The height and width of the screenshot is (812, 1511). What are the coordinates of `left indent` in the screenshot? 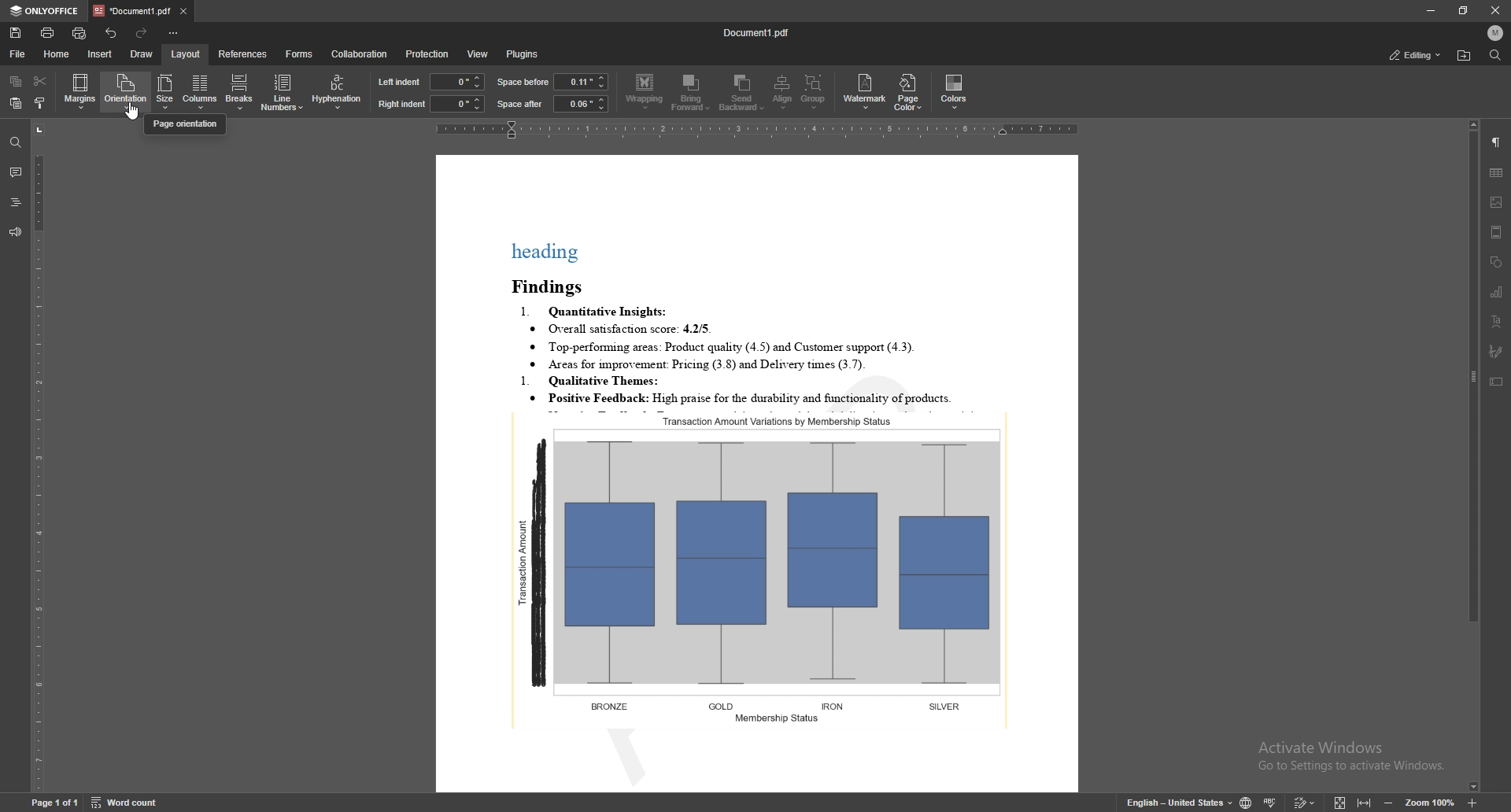 It's located at (400, 82).